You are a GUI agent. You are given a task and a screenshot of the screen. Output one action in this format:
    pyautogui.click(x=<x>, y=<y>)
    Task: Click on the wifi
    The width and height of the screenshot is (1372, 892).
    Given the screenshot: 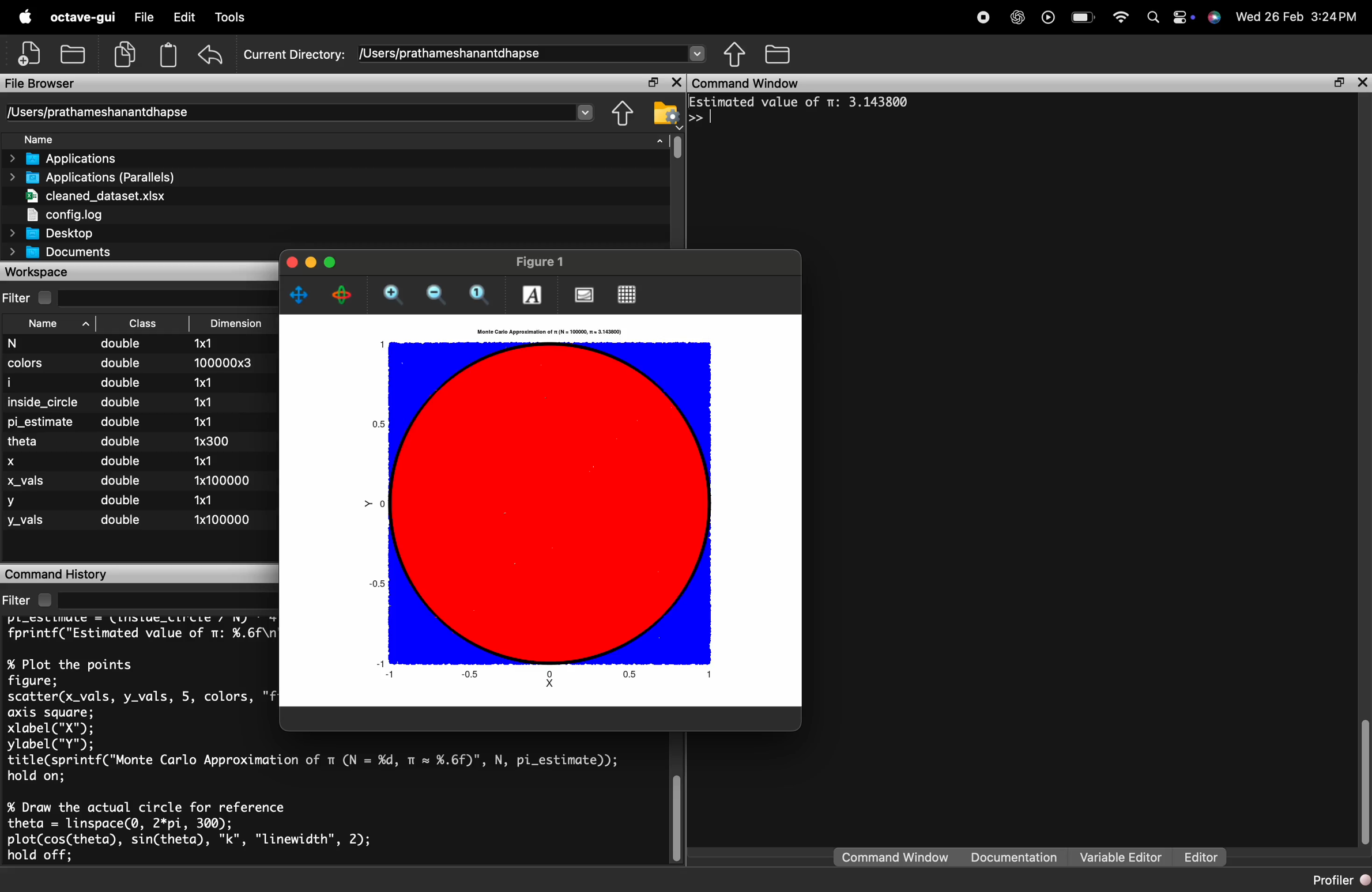 What is the action you would take?
    pyautogui.click(x=1118, y=17)
    